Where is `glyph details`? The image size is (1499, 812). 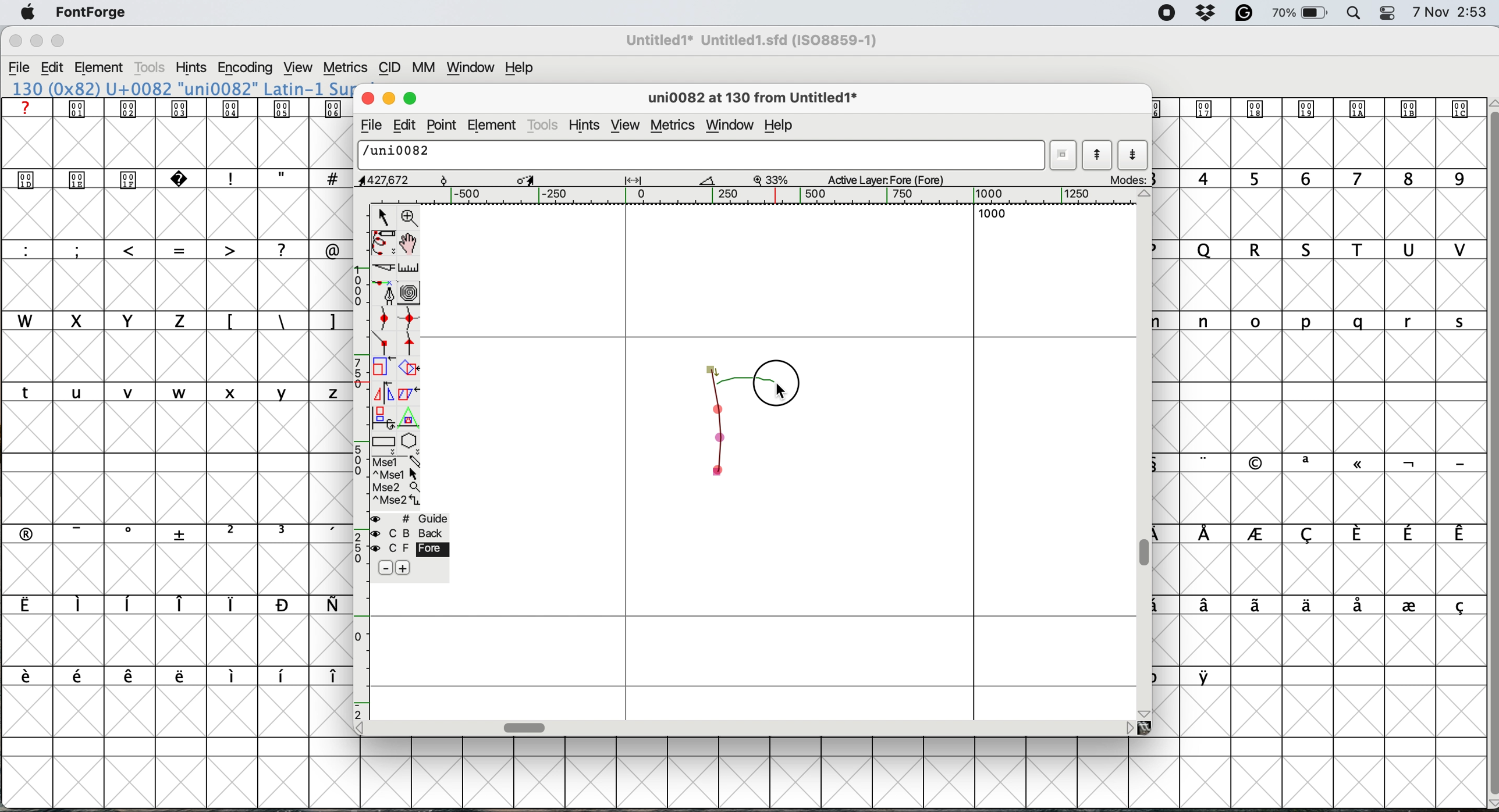 glyph details is located at coordinates (539, 180).